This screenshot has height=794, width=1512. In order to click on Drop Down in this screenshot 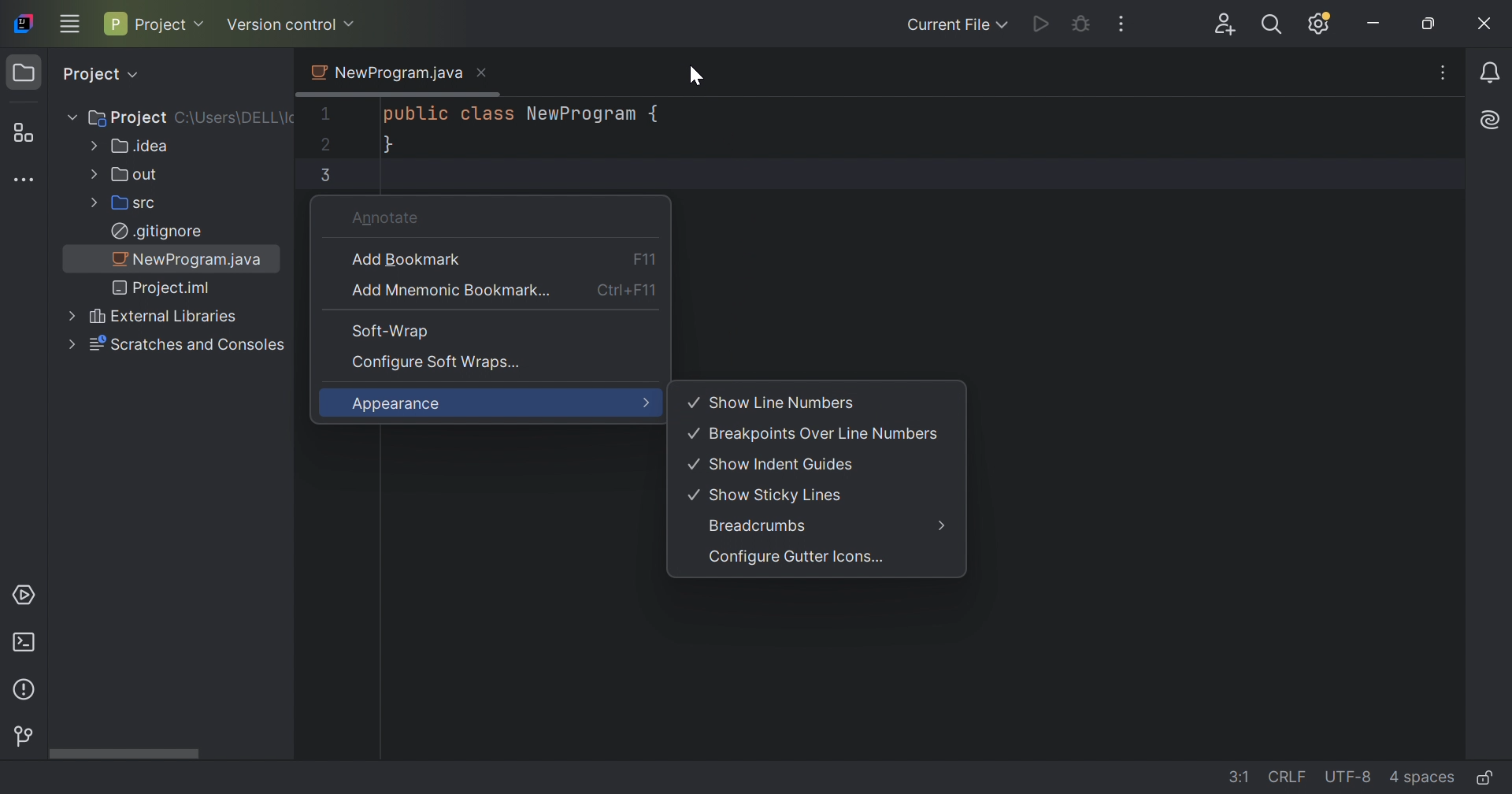, I will do `click(350, 24)`.